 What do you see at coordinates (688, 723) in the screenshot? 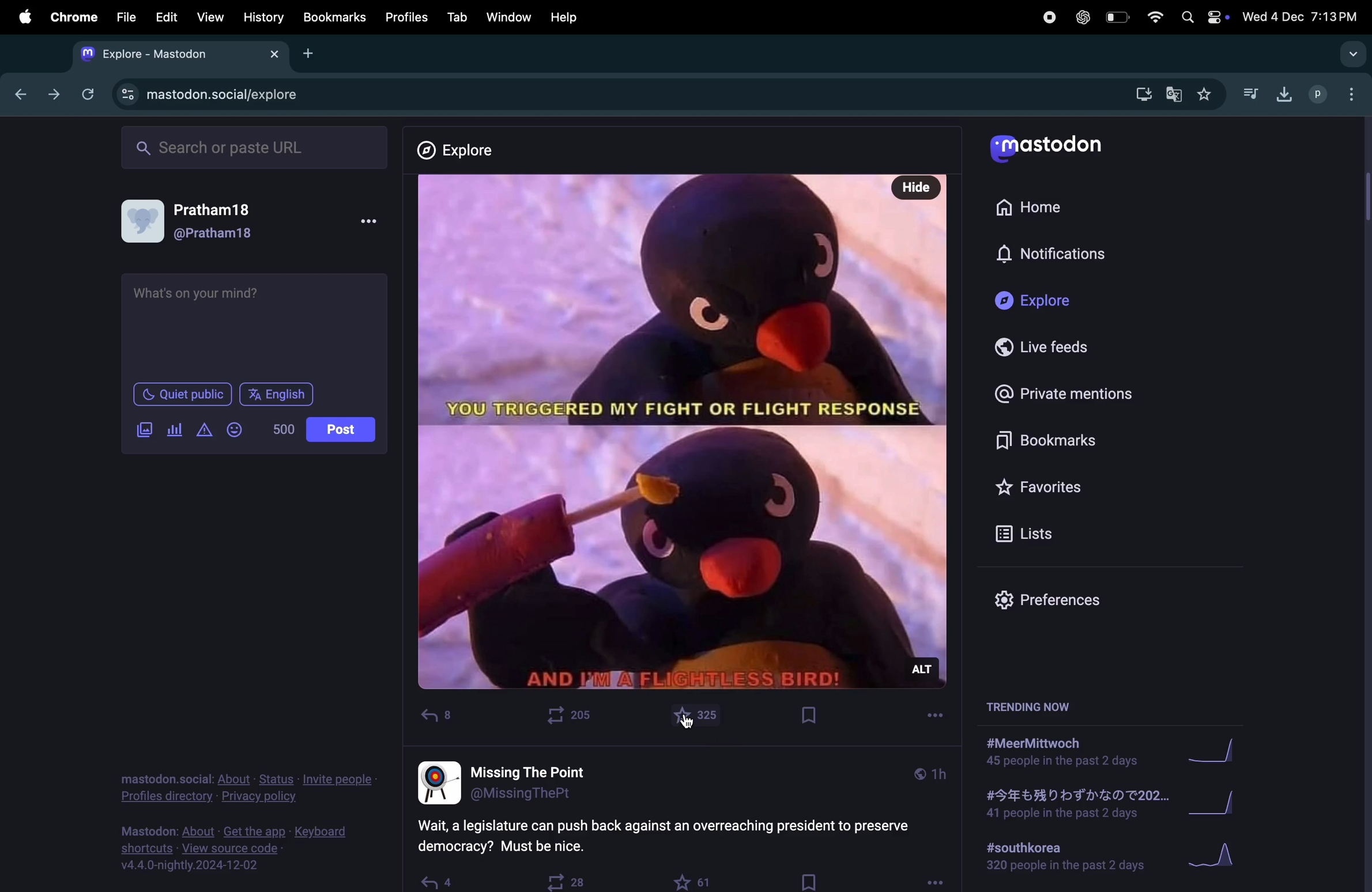
I see `cursor` at bounding box center [688, 723].